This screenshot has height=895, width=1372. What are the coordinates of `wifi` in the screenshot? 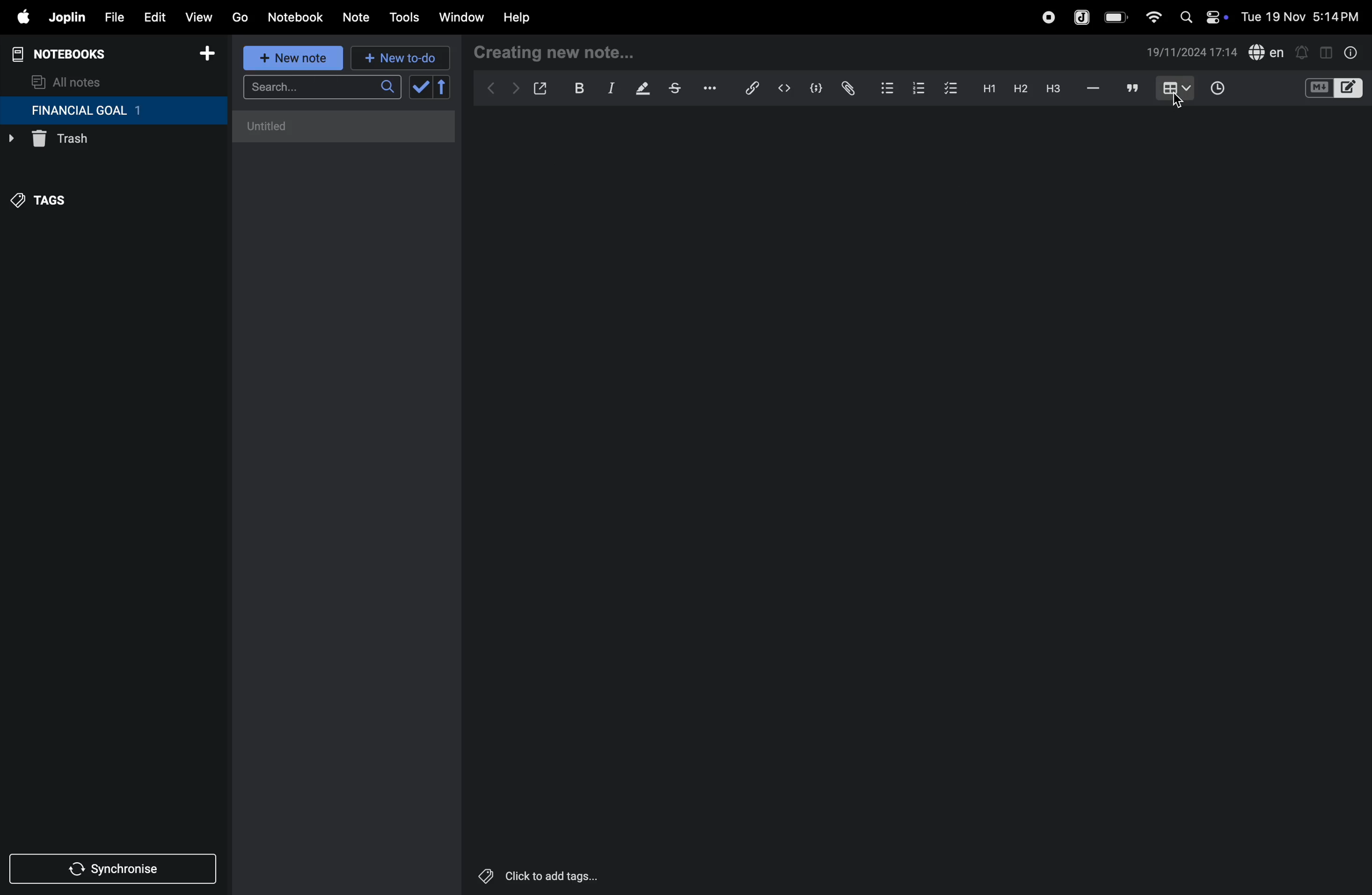 It's located at (1150, 17).